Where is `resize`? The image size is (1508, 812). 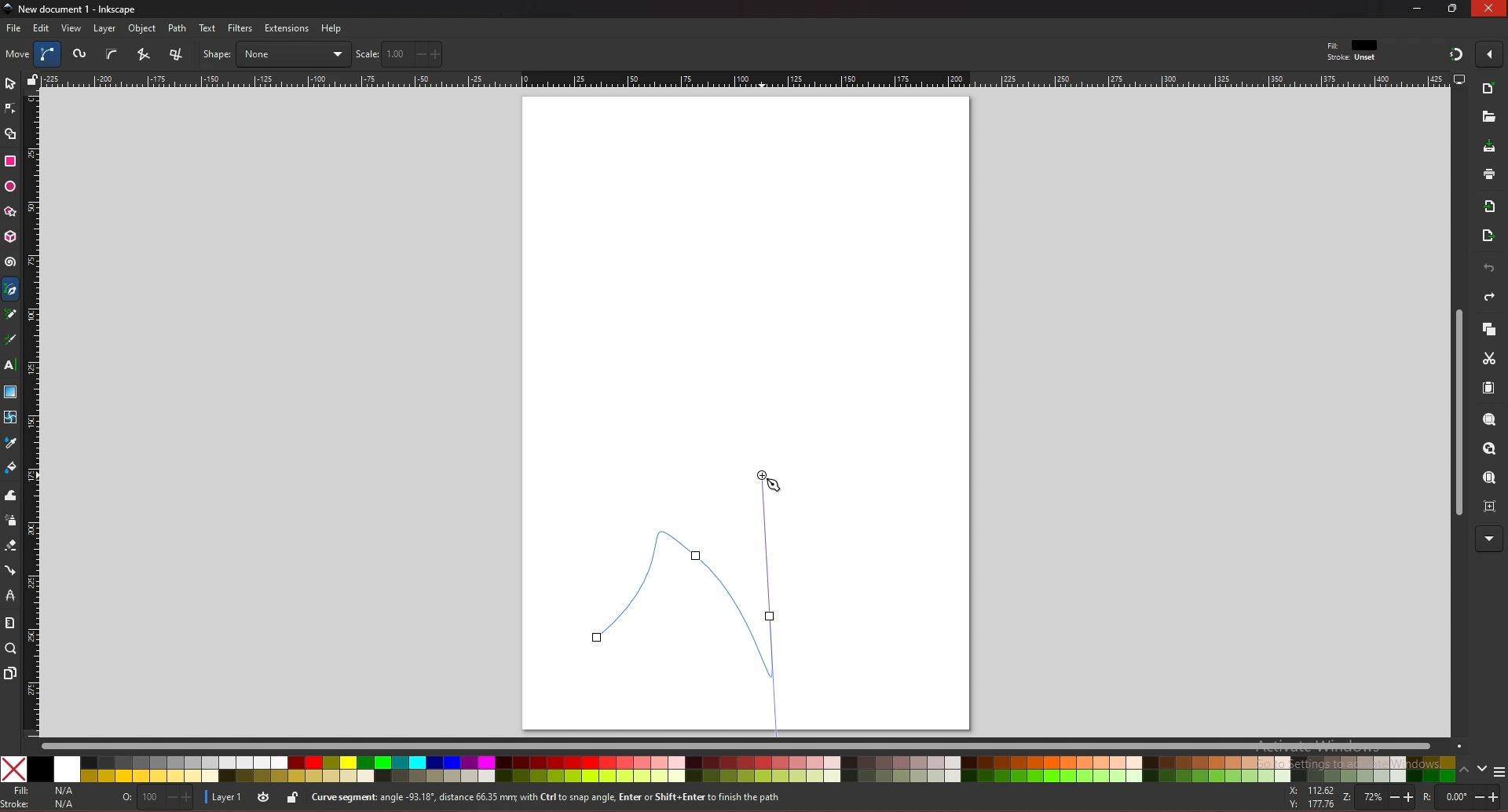
resize is located at coordinates (1455, 8).